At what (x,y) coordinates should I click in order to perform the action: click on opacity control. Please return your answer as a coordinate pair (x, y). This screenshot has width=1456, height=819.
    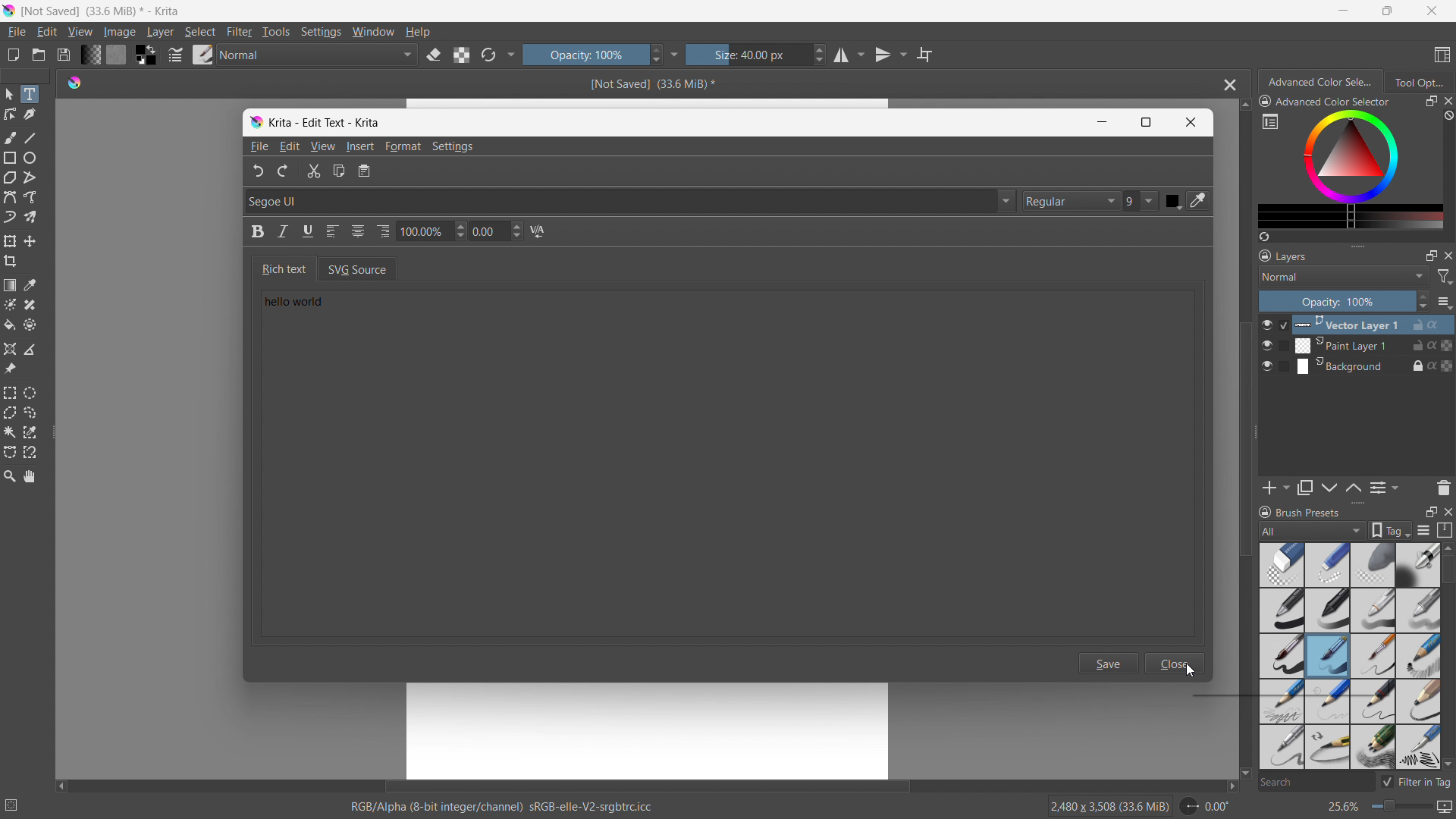
    Looking at the image, I should click on (1344, 301).